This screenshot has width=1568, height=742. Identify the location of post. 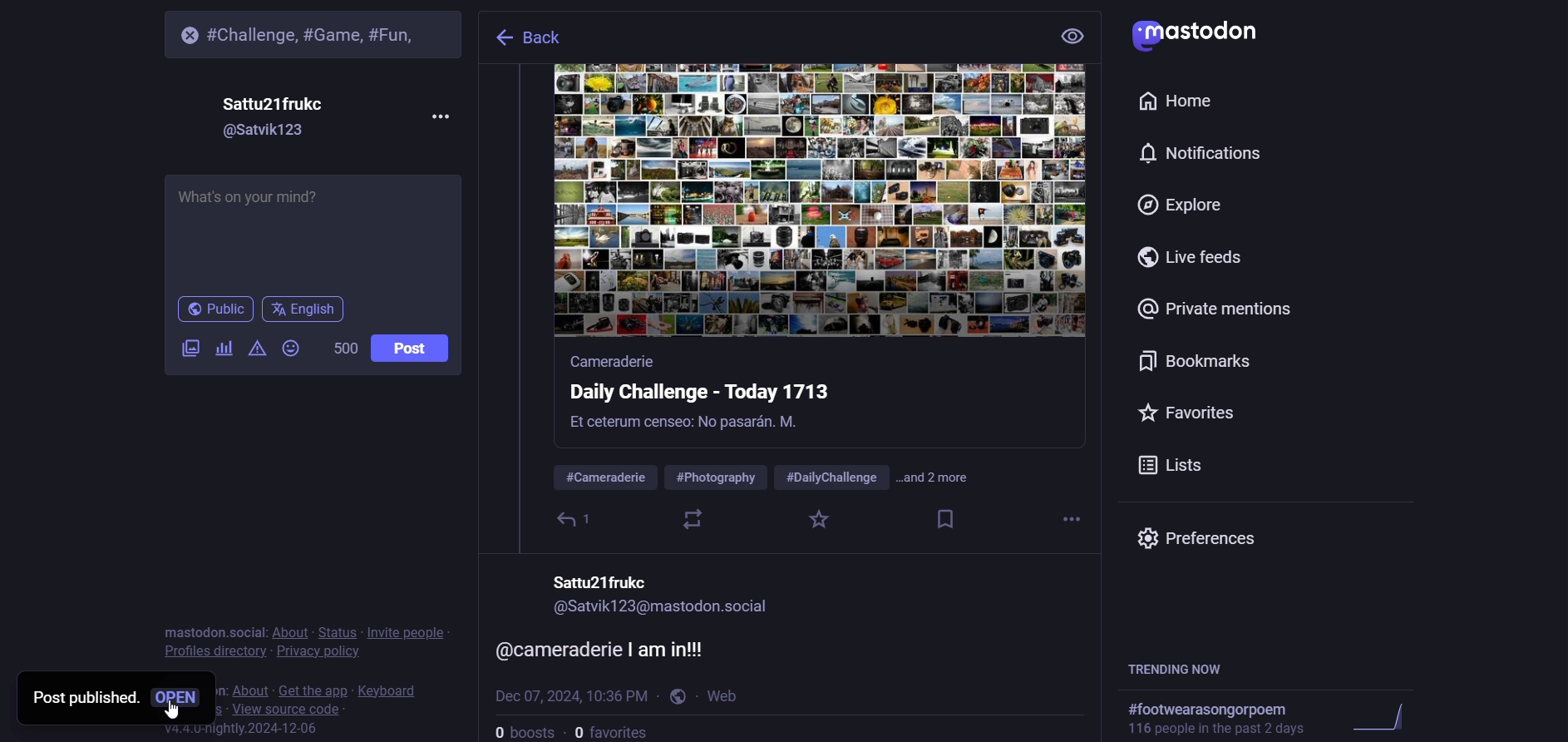
(410, 349).